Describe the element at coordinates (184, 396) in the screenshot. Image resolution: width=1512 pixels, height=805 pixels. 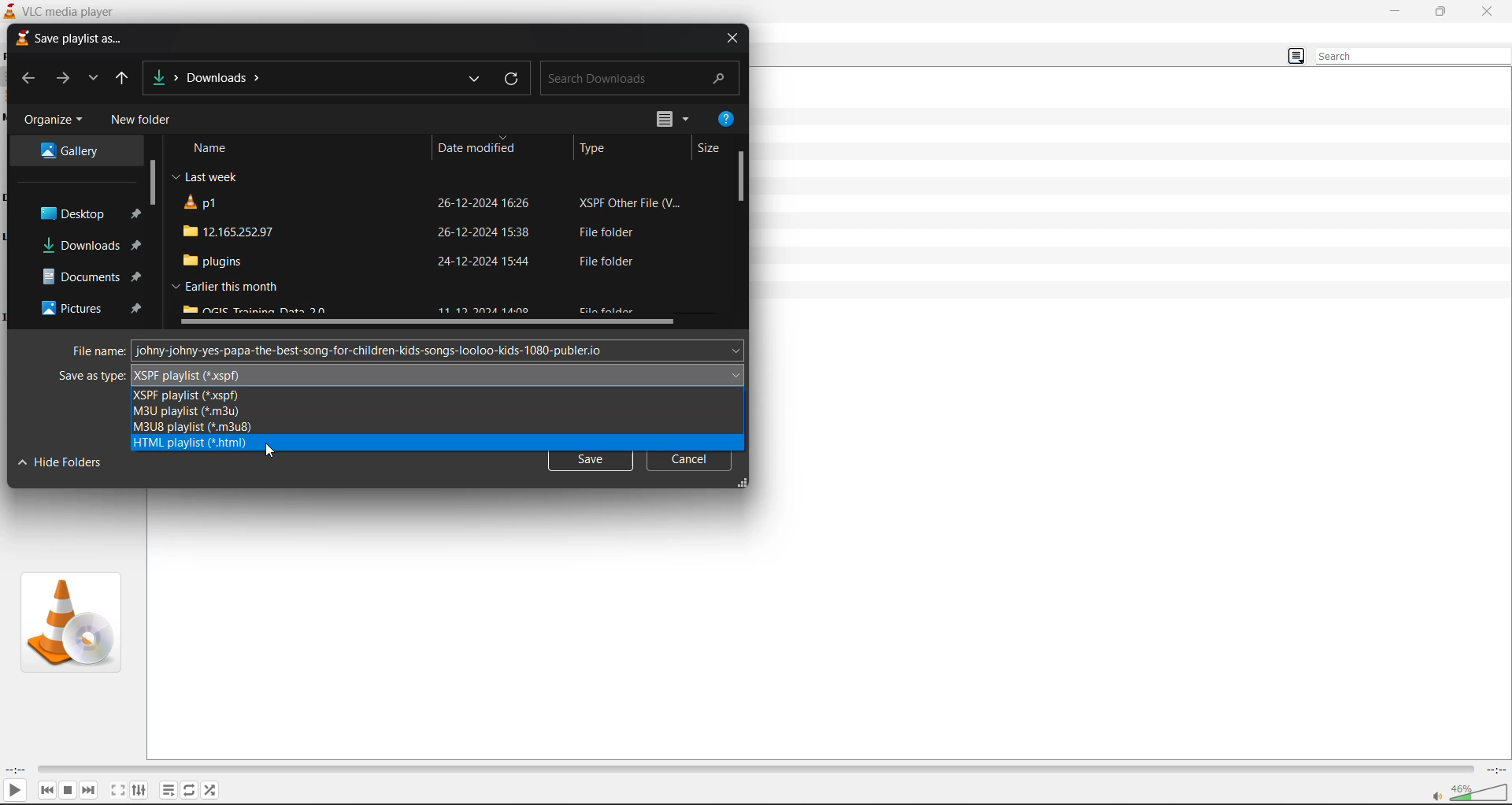
I see `xspf playlist` at that location.